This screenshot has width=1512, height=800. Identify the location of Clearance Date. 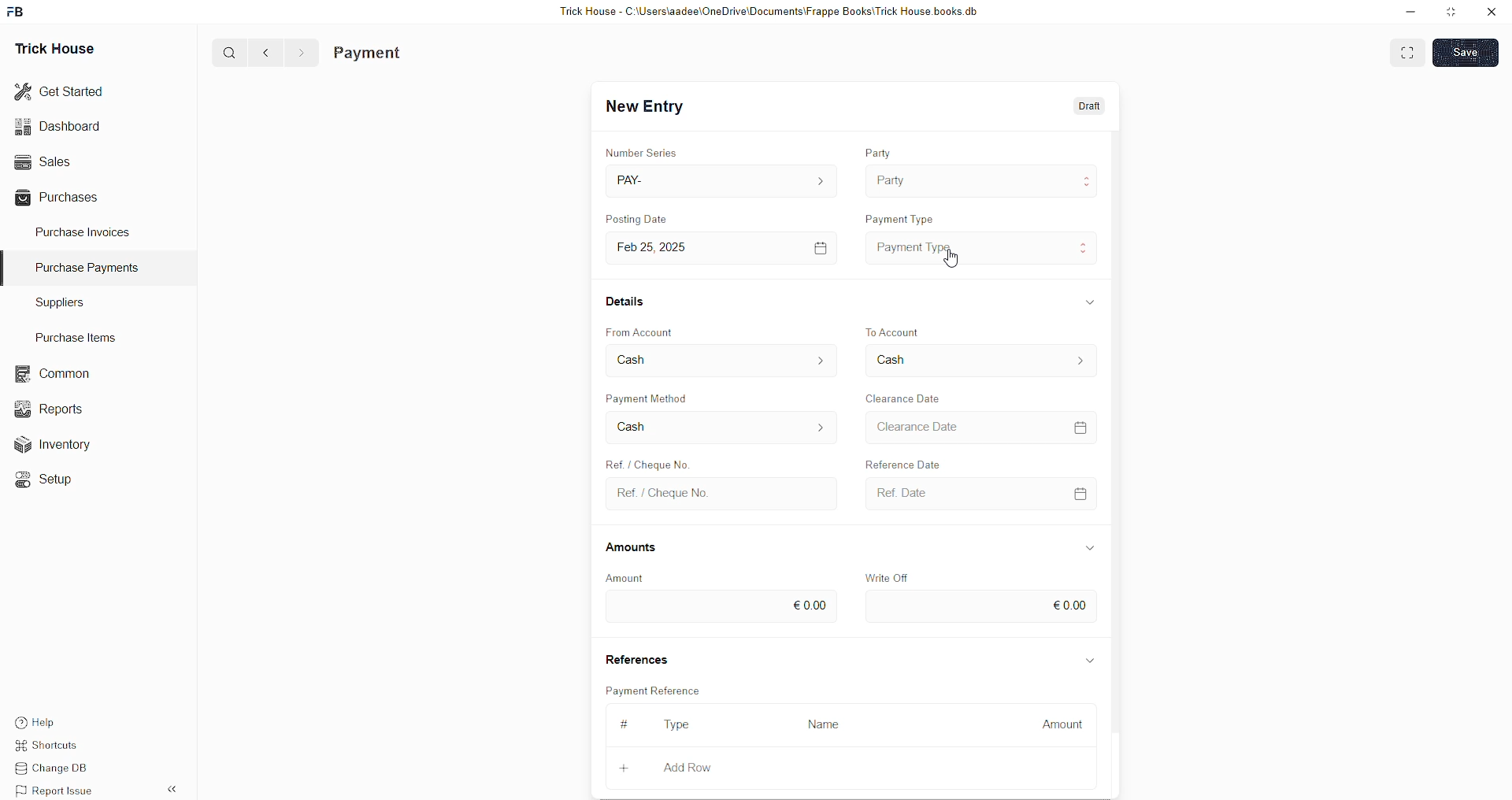
(906, 397).